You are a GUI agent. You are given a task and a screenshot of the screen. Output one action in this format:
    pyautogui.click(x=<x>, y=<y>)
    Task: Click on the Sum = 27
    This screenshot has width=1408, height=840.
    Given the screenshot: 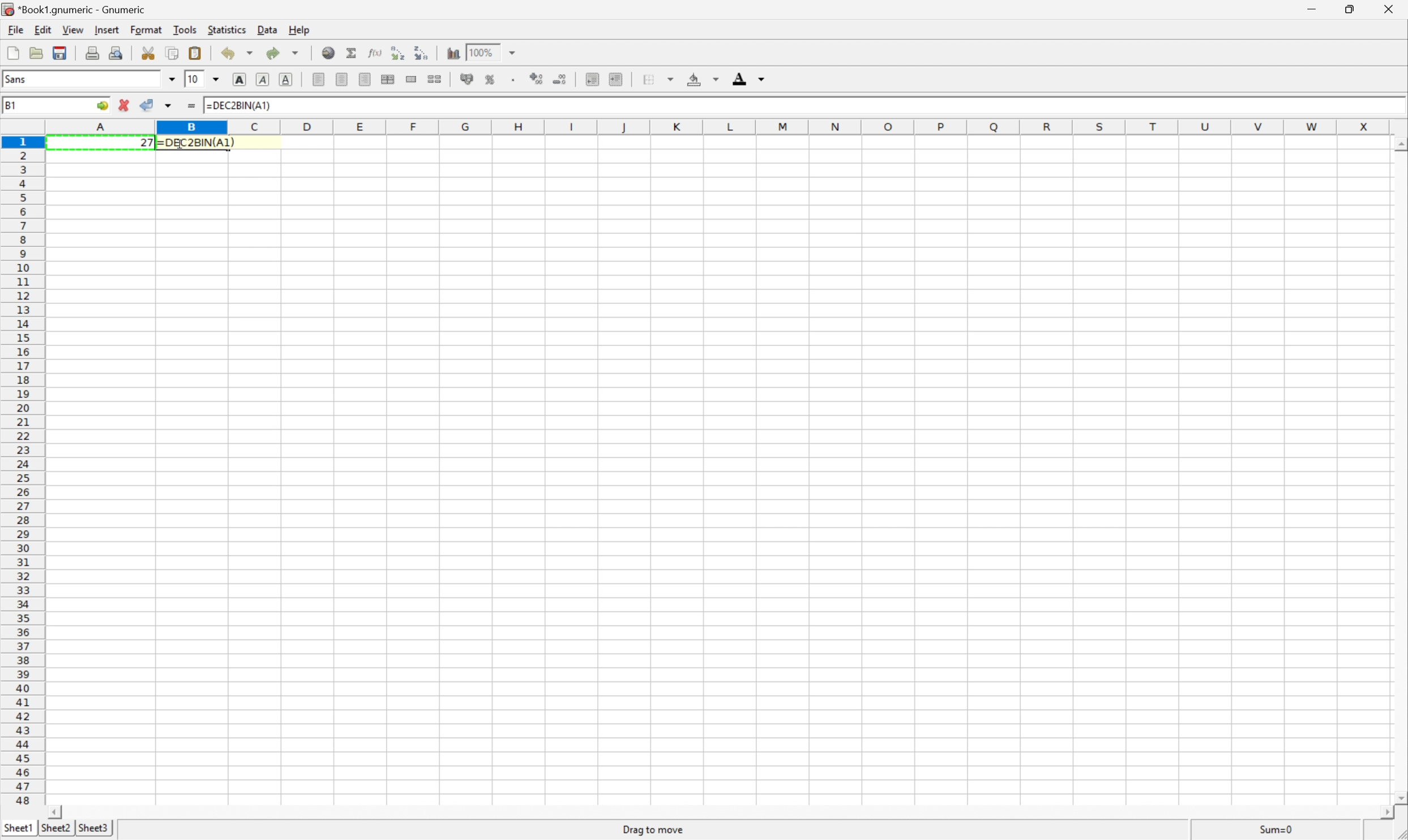 What is the action you would take?
    pyautogui.click(x=1277, y=829)
    